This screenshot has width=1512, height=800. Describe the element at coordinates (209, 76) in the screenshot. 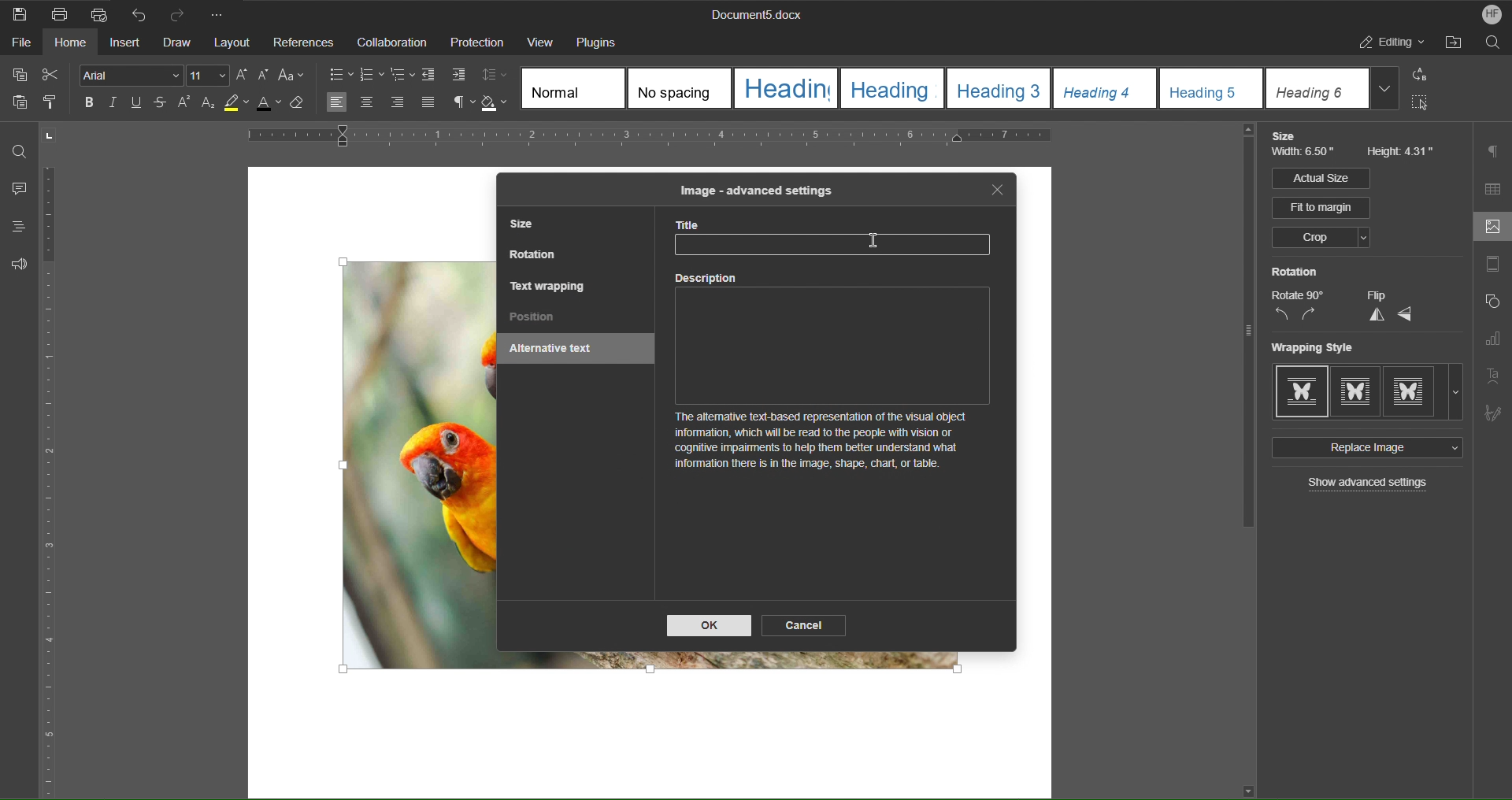

I see `Font size` at that location.